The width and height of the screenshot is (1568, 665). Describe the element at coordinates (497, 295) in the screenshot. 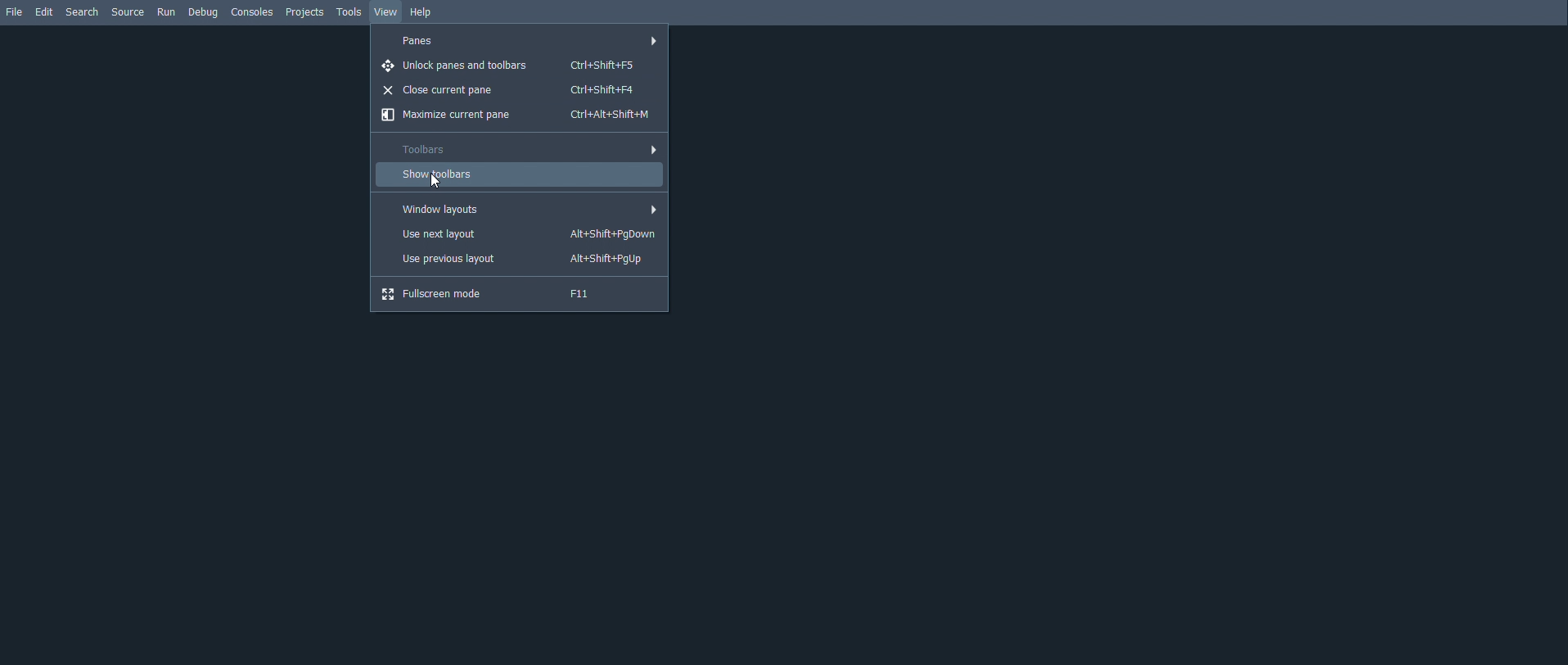

I see `Fullscreen mode` at that location.